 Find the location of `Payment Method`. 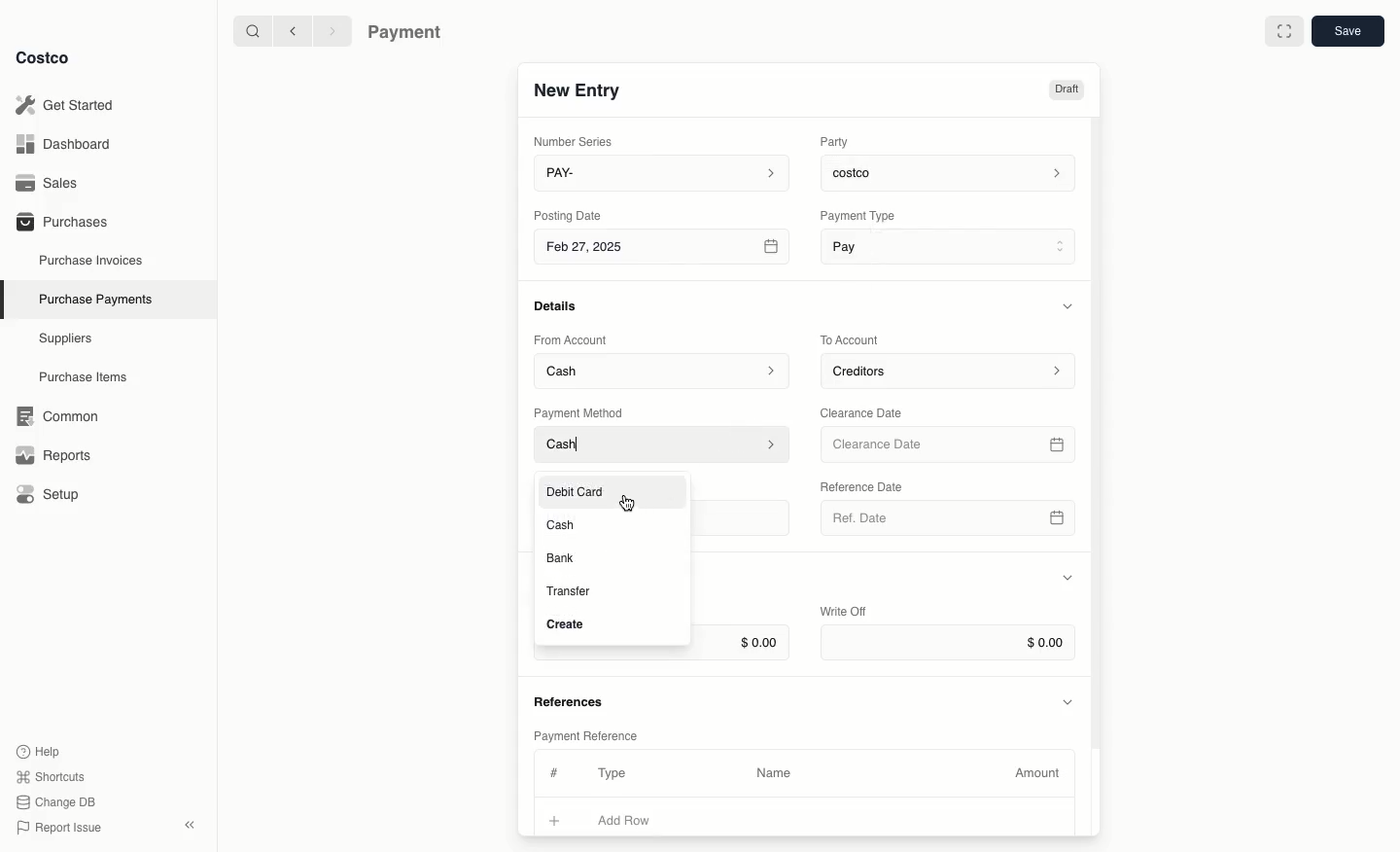

Payment Method is located at coordinates (580, 412).